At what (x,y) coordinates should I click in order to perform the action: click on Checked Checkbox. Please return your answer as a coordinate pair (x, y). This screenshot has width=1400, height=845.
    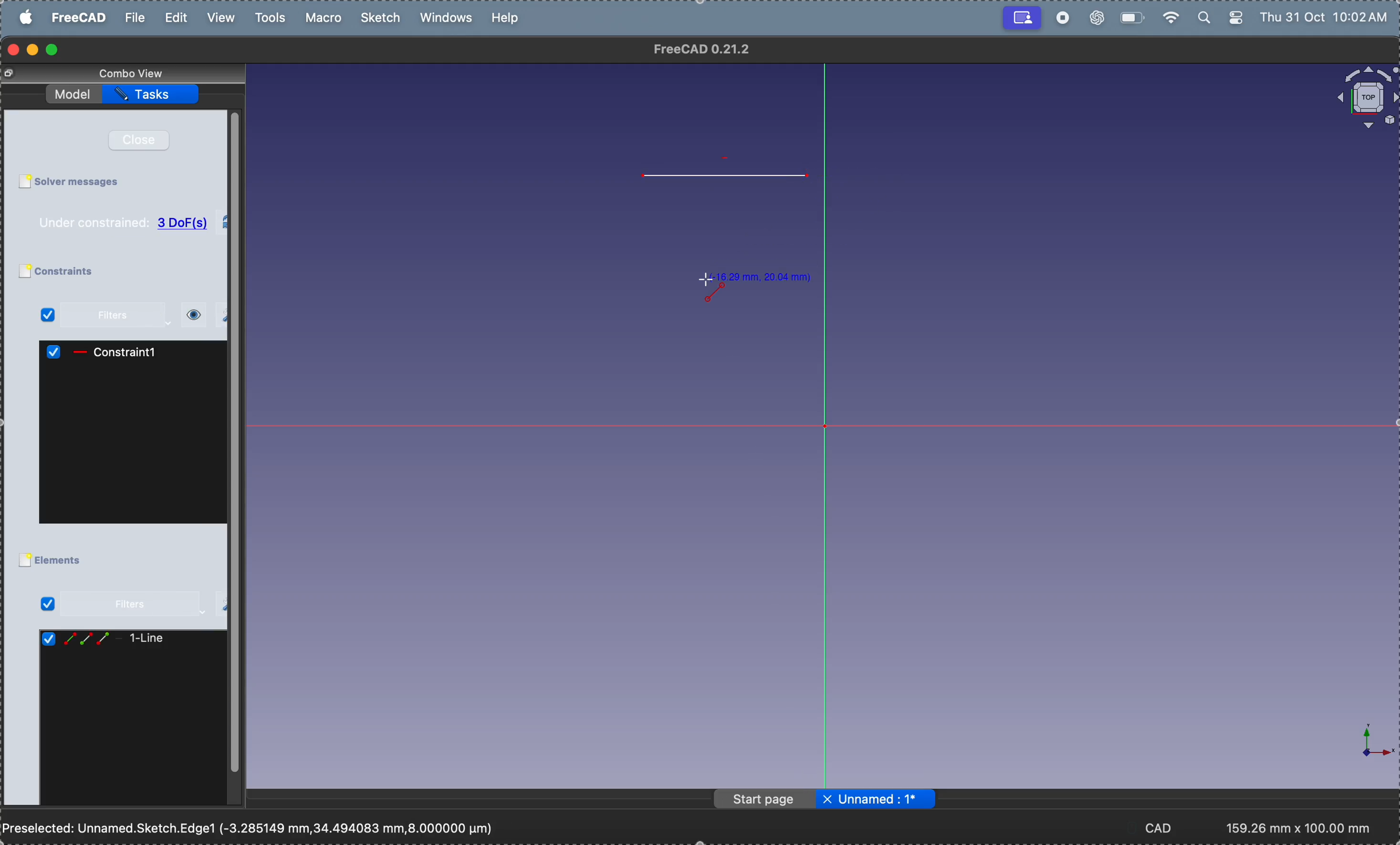
    Looking at the image, I should click on (48, 640).